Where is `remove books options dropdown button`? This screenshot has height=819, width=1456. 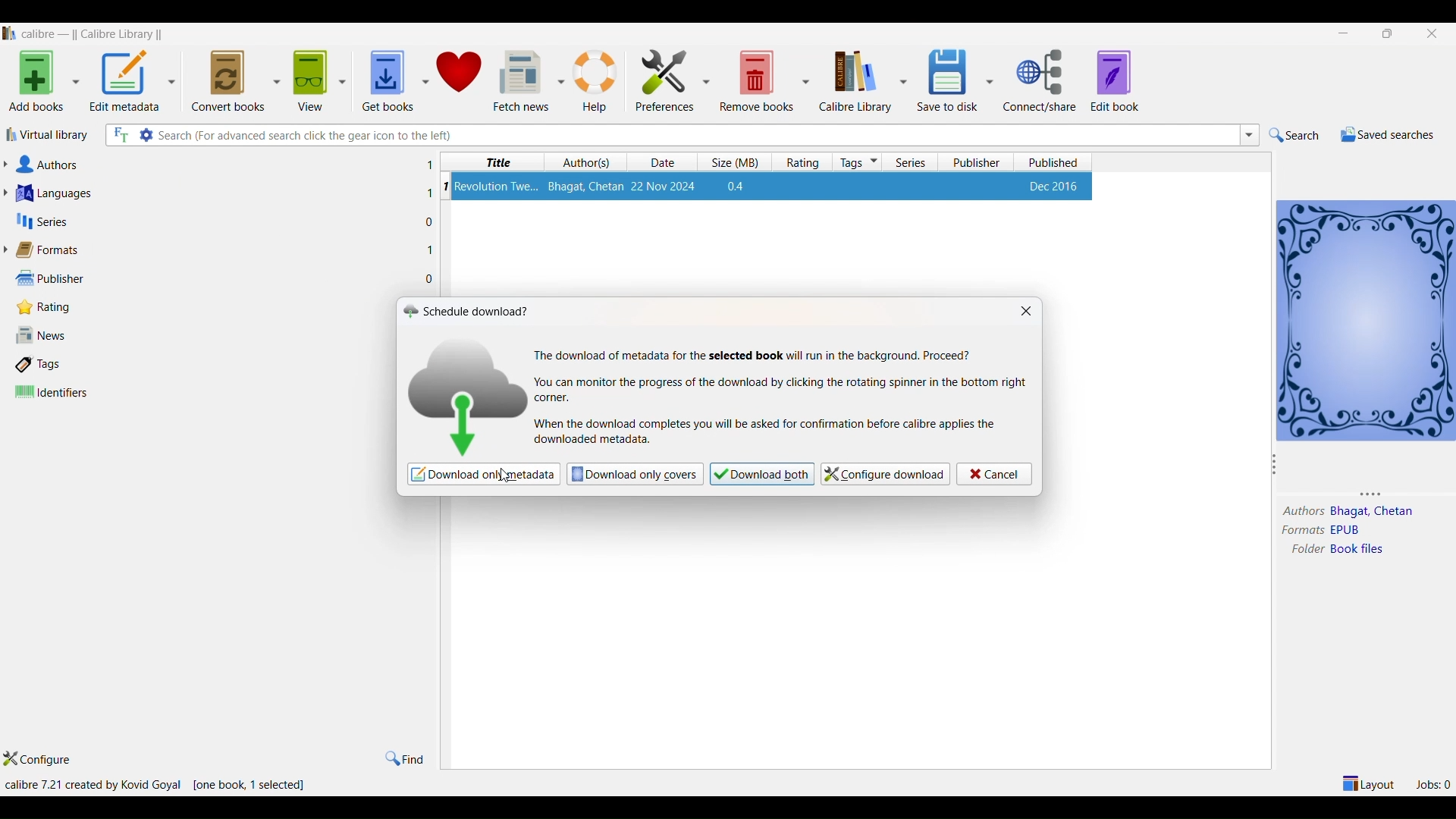 remove books options dropdown button is located at coordinates (806, 76).